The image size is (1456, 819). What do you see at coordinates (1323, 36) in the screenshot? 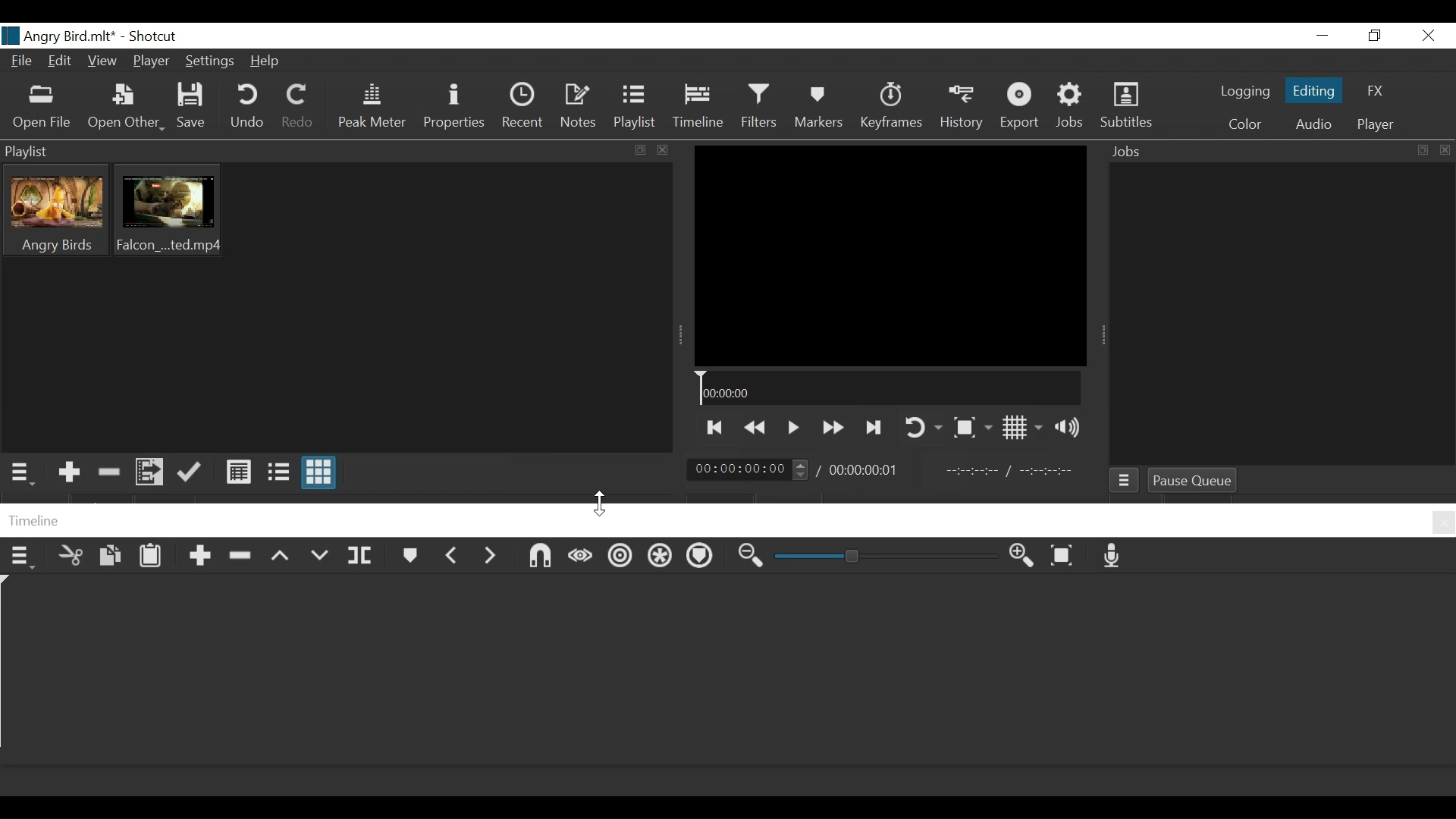
I see `minimize` at bounding box center [1323, 36].